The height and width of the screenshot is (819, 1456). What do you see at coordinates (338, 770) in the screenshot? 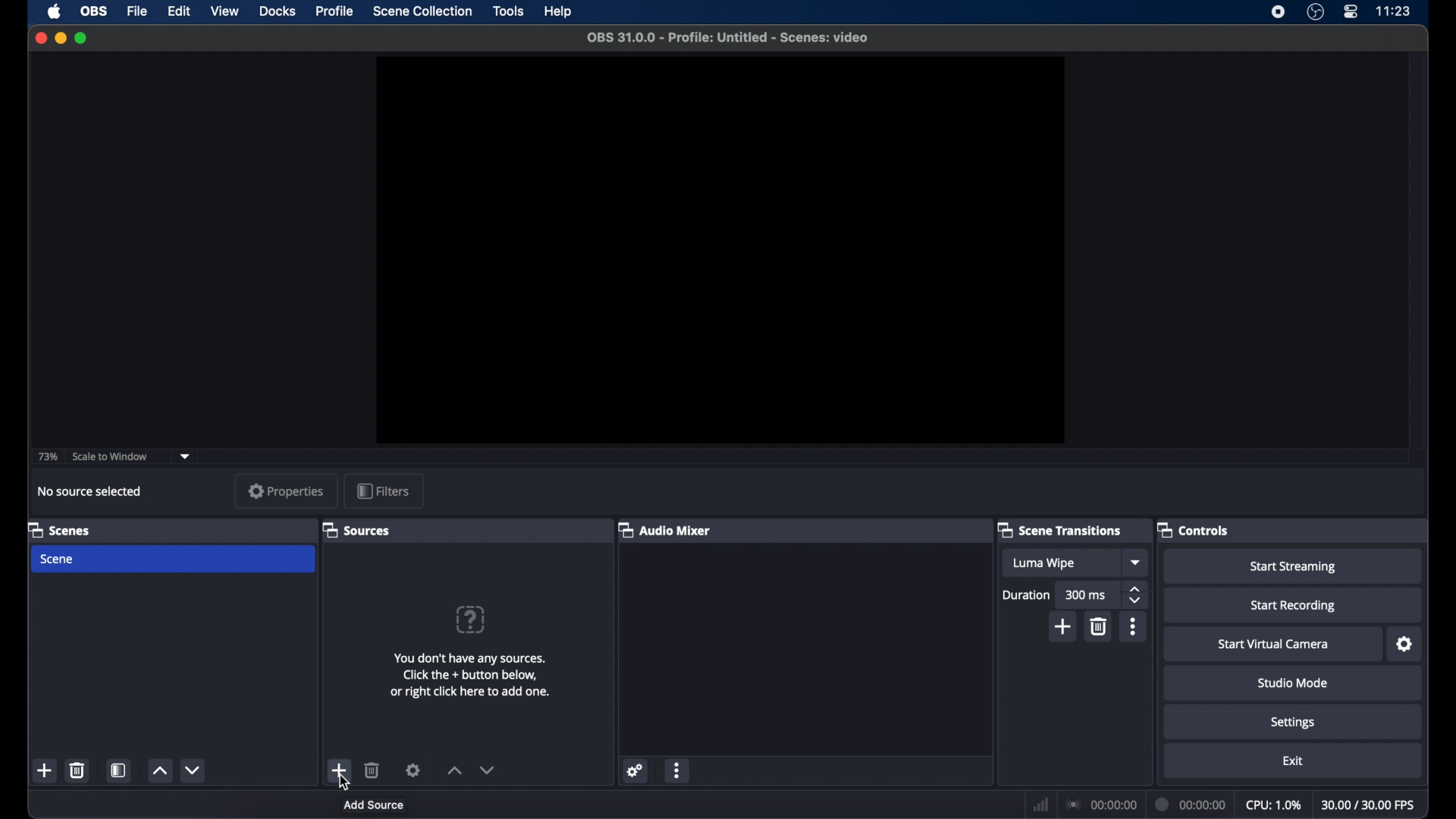
I see `add` at bounding box center [338, 770].